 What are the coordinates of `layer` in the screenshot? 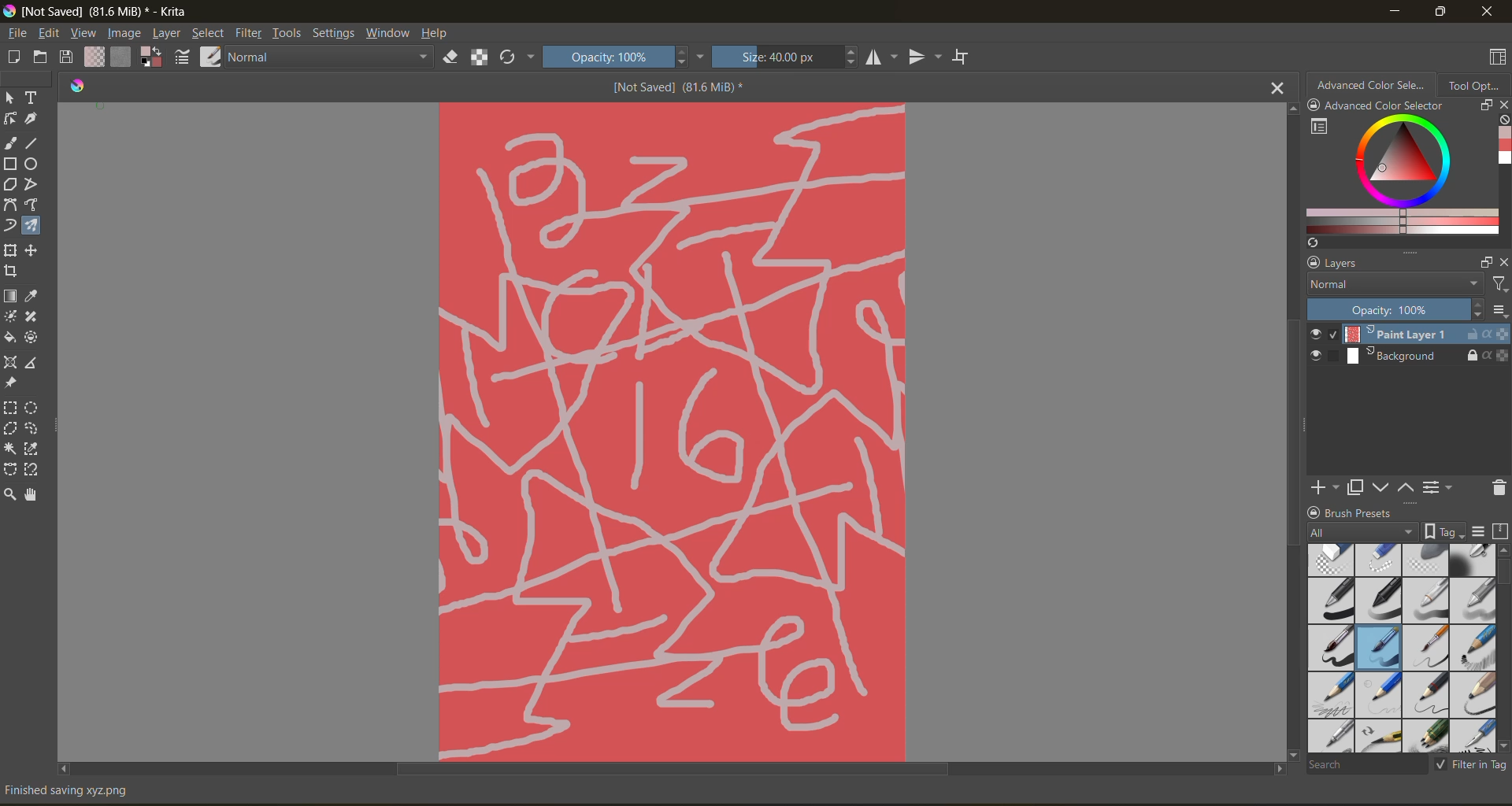 It's located at (1409, 335).